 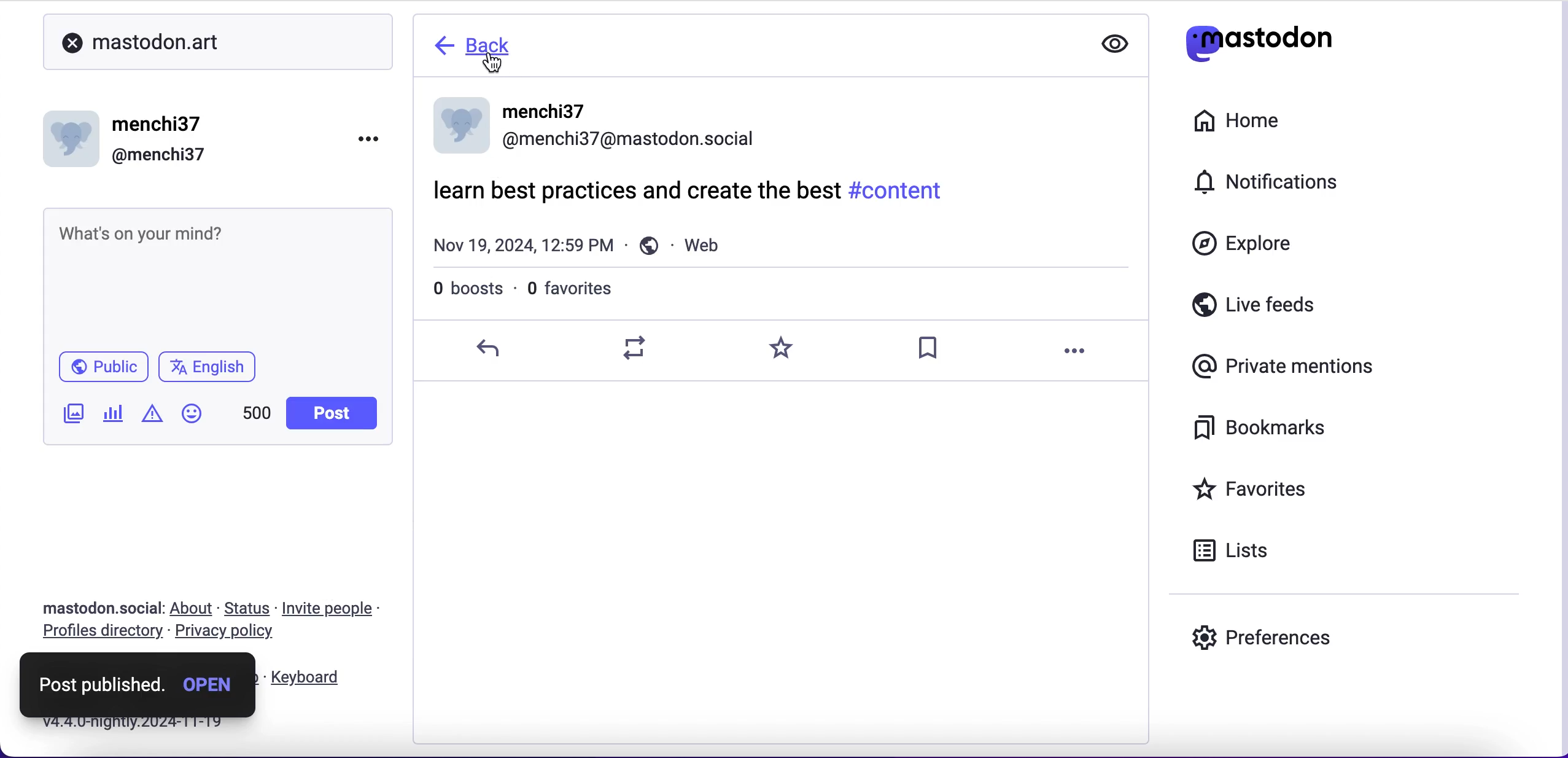 What do you see at coordinates (1252, 122) in the screenshot?
I see `home` at bounding box center [1252, 122].